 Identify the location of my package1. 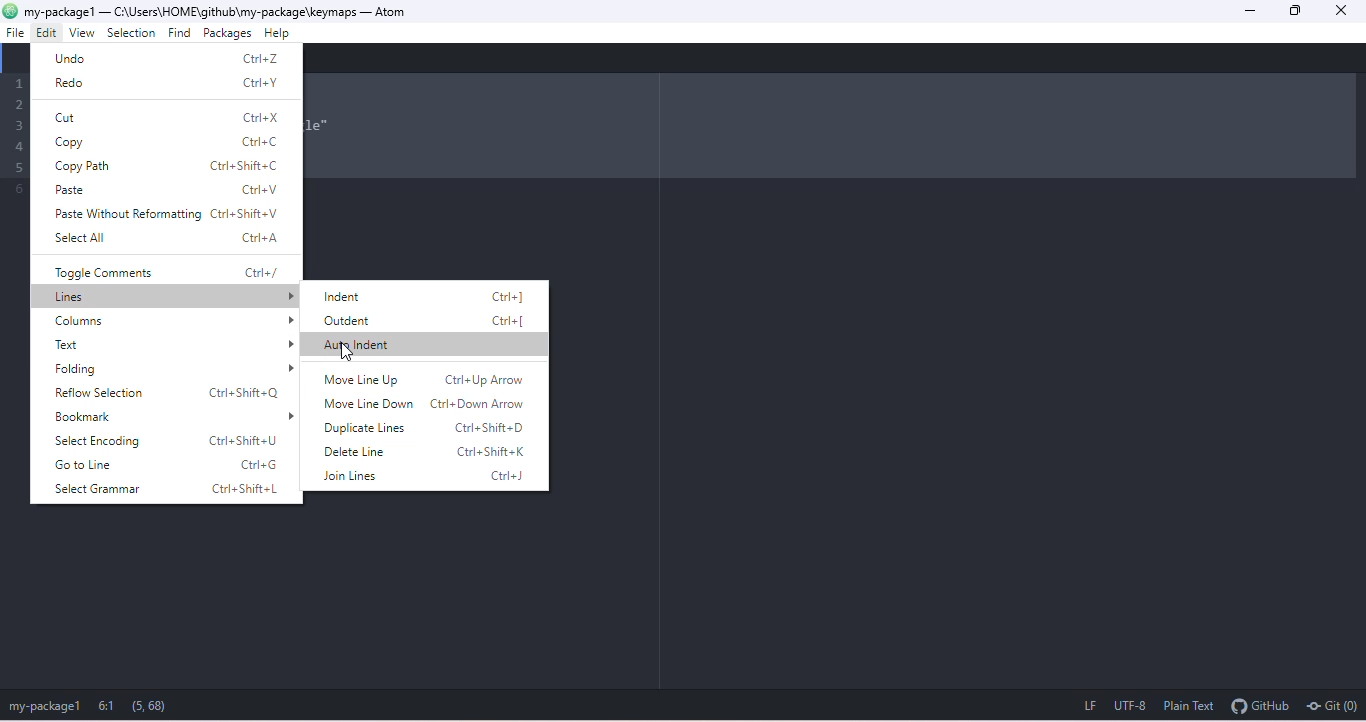
(44, 707).